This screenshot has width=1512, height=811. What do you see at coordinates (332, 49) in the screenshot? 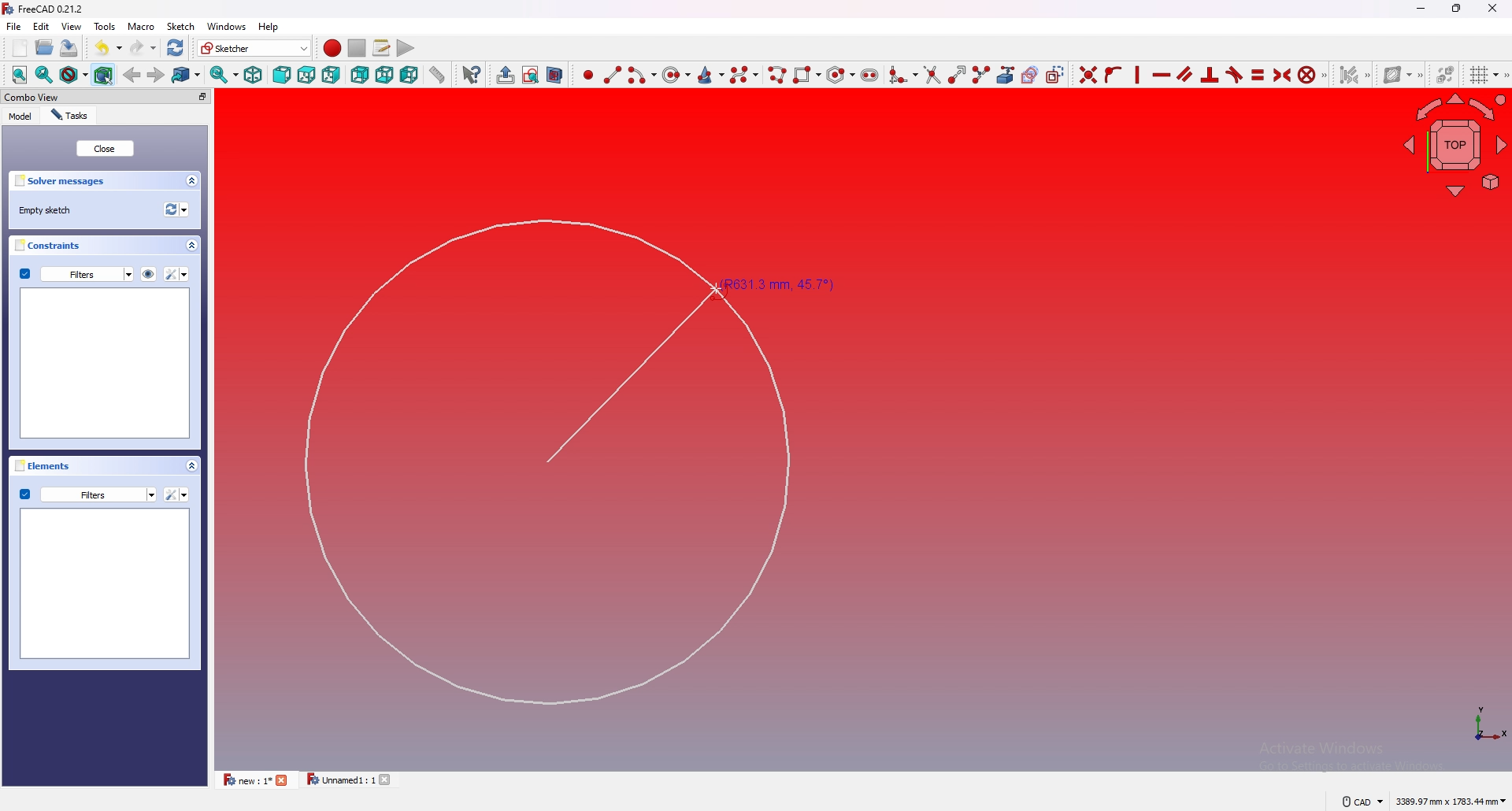
I see `record macro` at bounding box center [332, 49].